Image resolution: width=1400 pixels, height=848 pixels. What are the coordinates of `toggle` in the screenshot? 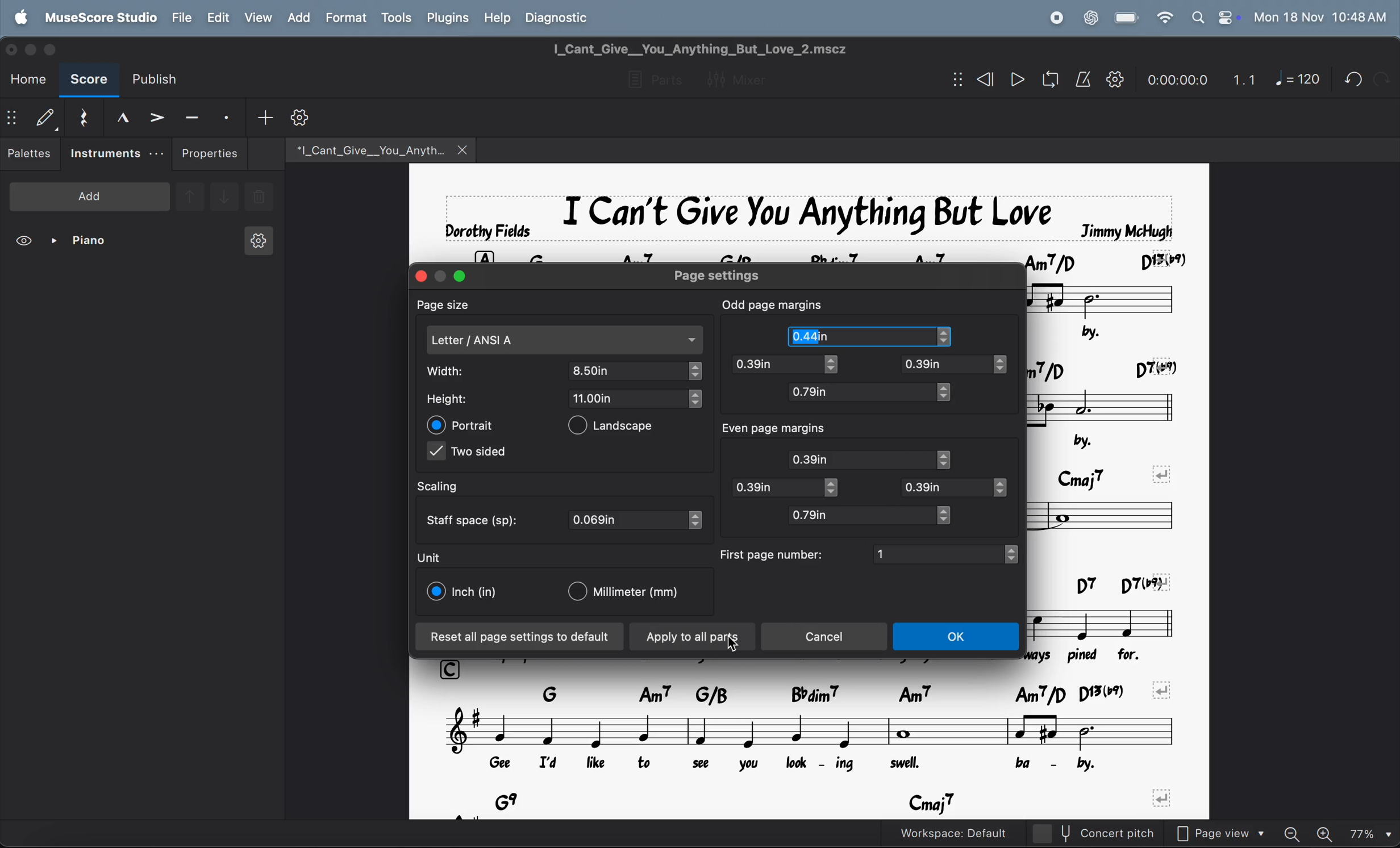 It's located at (948, 459).